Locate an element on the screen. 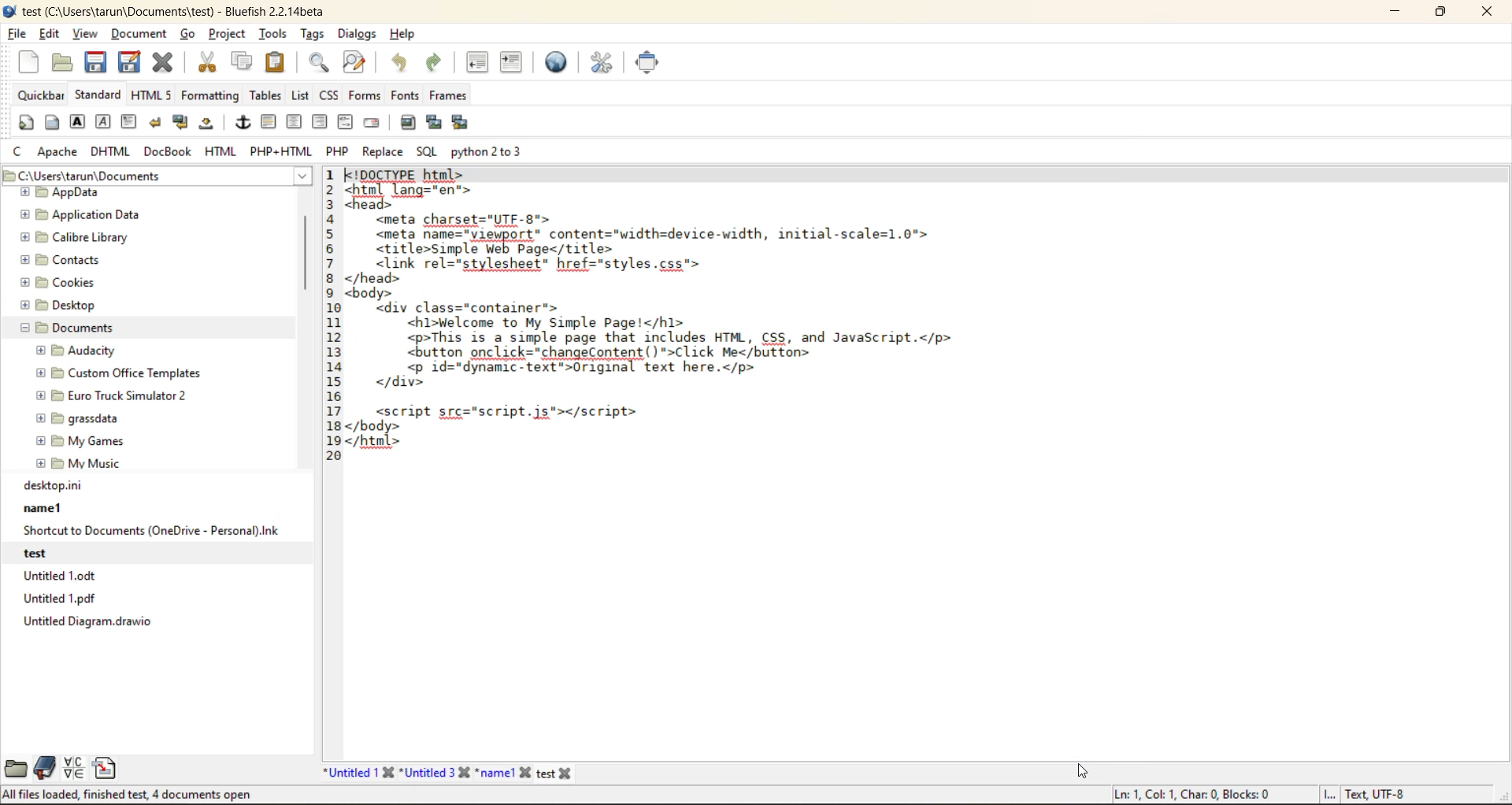 The height and width of the screenshot is (805, 1512). edit is located at coordinates (50, 35).